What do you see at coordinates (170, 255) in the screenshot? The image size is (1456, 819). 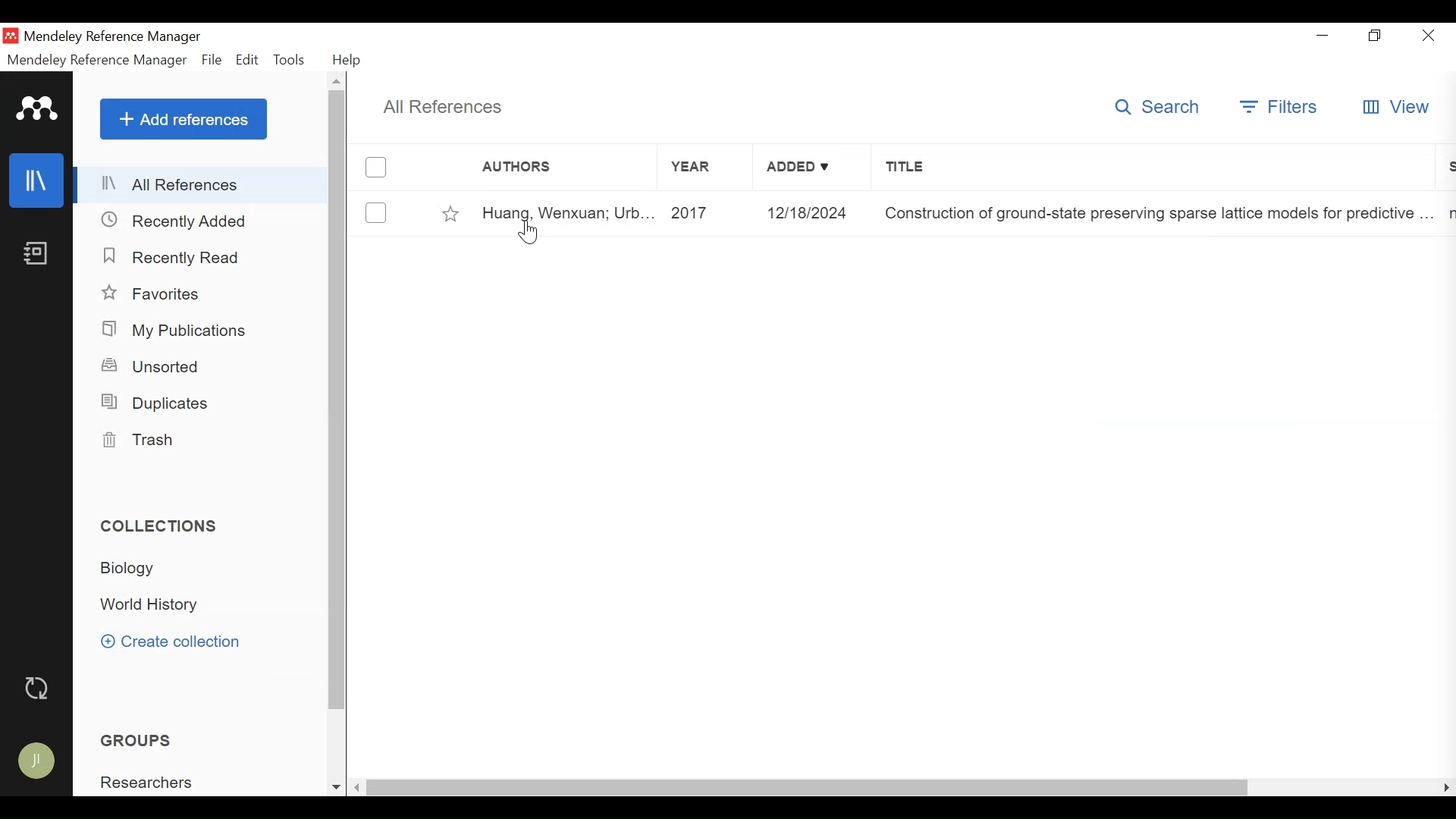 I see `Recently Read` at bounding box center [170, 255].